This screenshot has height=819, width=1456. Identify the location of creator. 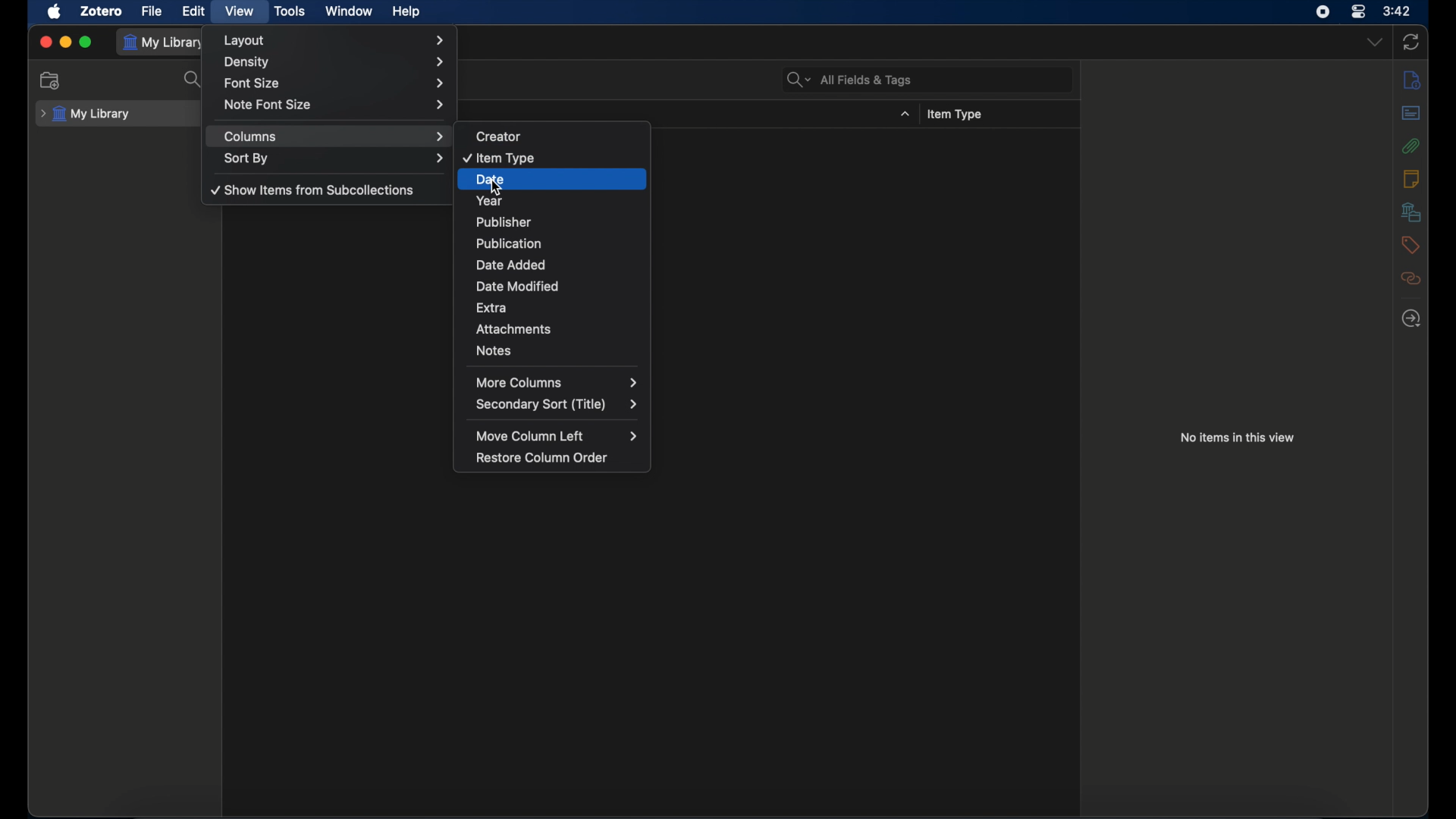
(536, 134).